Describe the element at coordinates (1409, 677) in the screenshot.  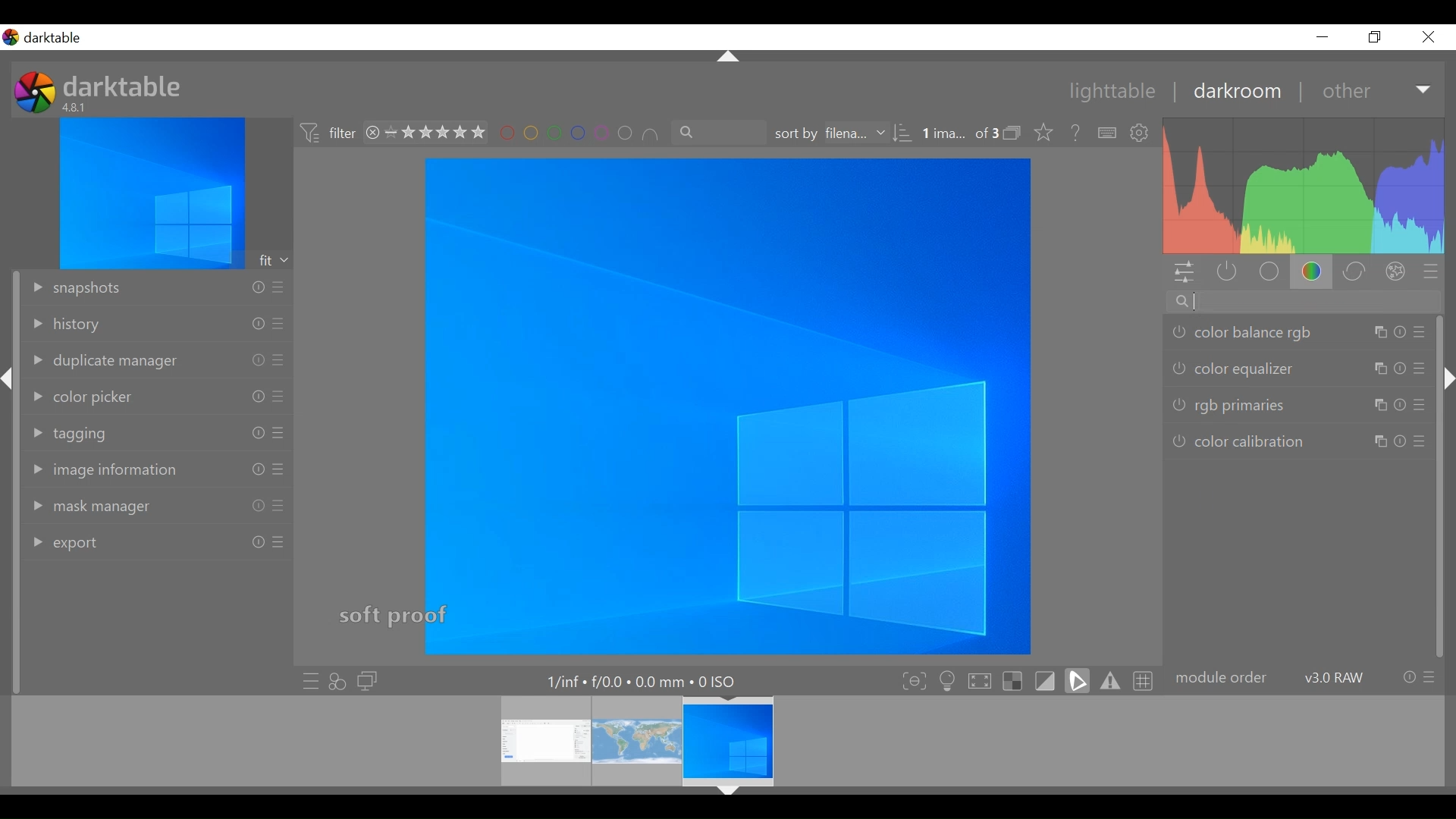
I see `info` at that location.